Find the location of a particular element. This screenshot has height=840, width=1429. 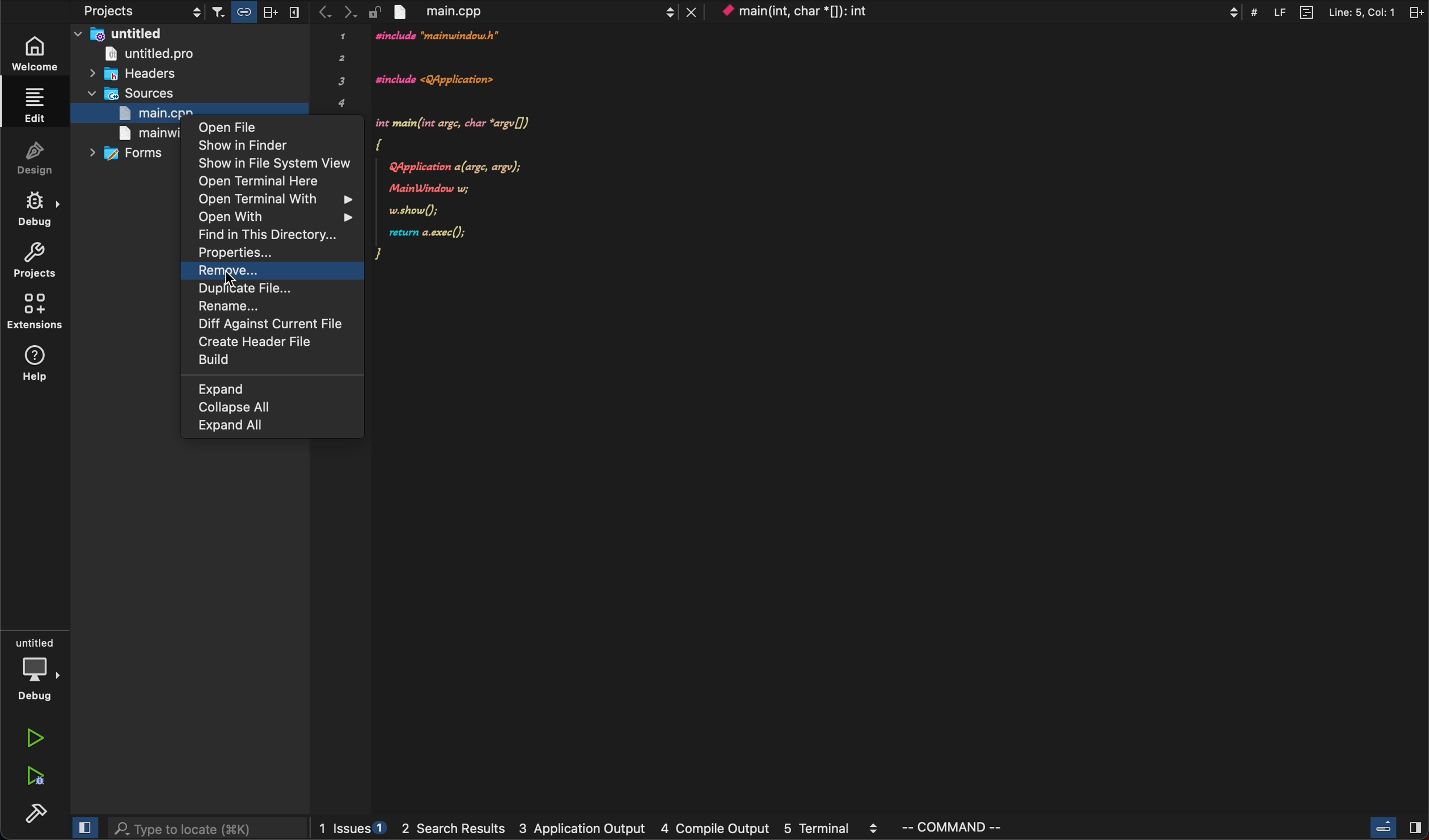

Curser is located at coordinates (235, 277).